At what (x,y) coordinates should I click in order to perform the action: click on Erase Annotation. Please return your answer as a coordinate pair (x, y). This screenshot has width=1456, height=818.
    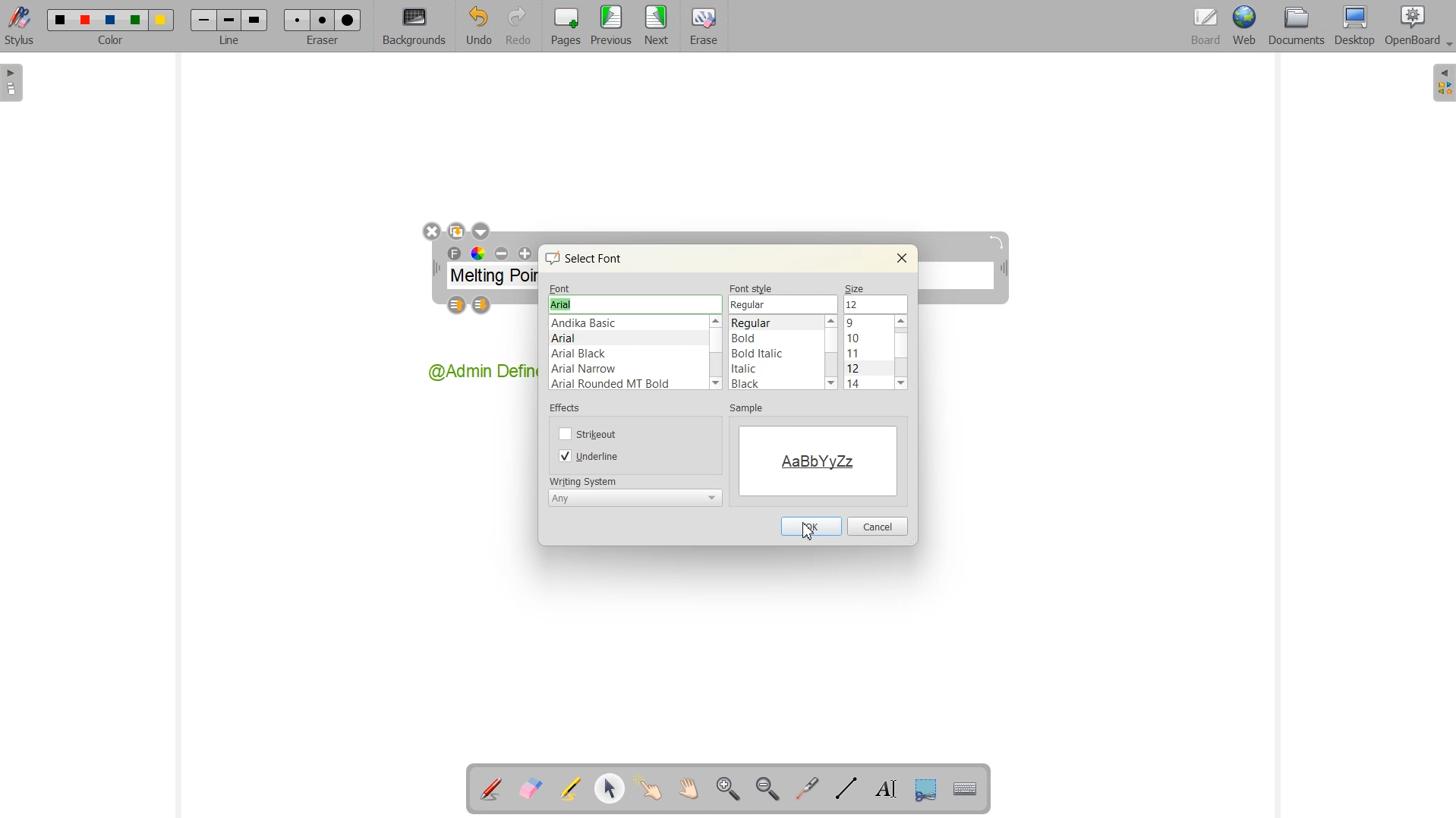
    Looking at the image, I should click on (530, 789).